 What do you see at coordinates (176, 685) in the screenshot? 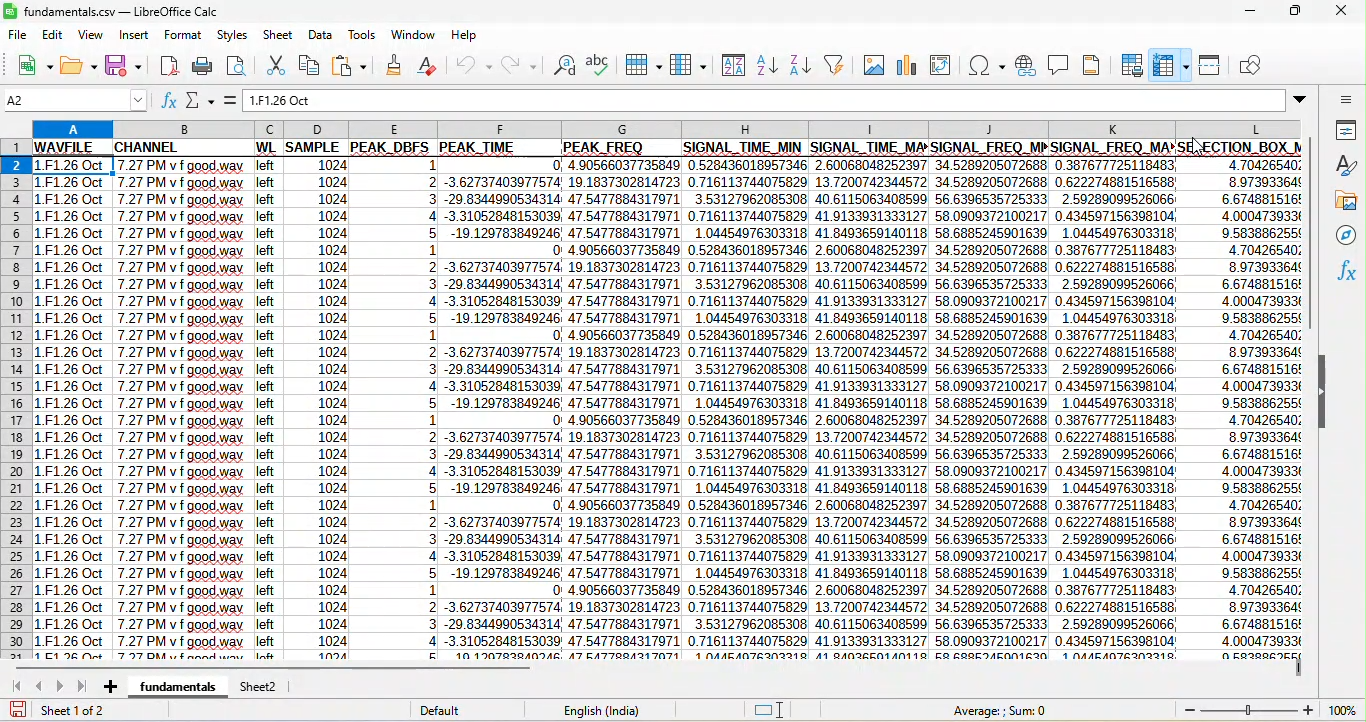
I see `fundamentals` at bounding box center [176, 685].